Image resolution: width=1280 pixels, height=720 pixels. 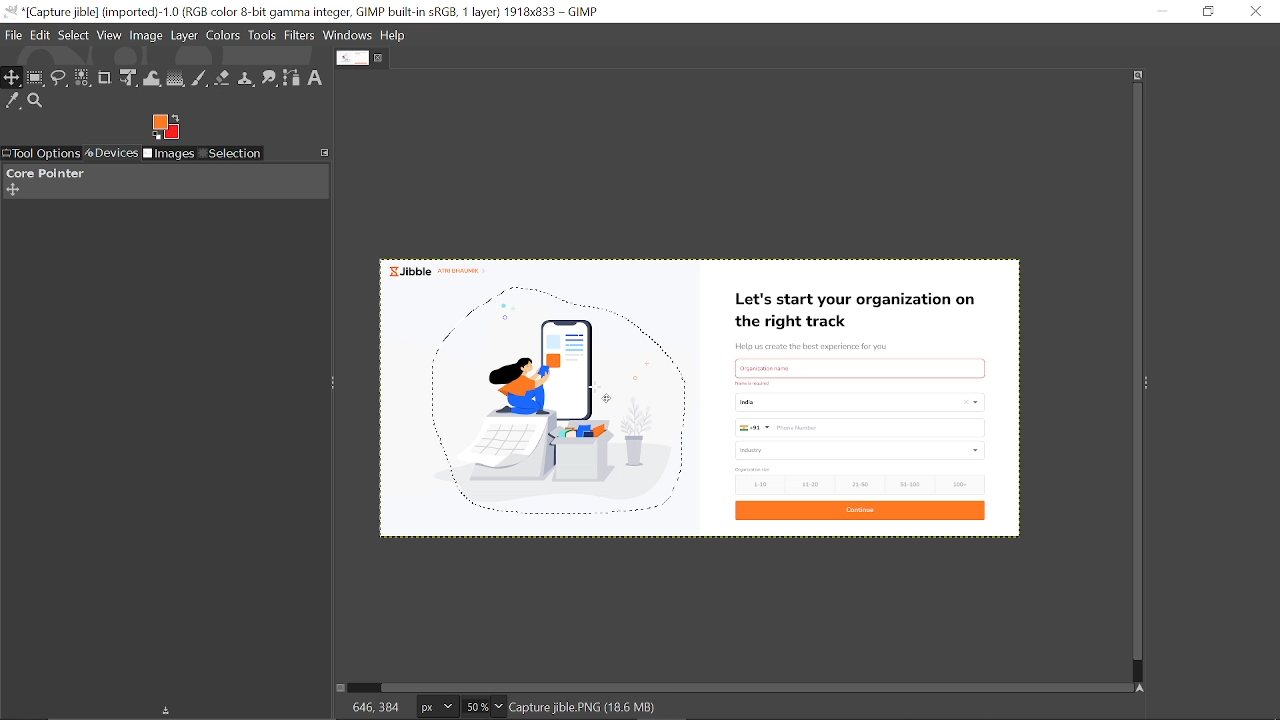 What do you see at coordinates (230, 155) in the screenshot?
I see `Selection` at bounding box center [230, 155].